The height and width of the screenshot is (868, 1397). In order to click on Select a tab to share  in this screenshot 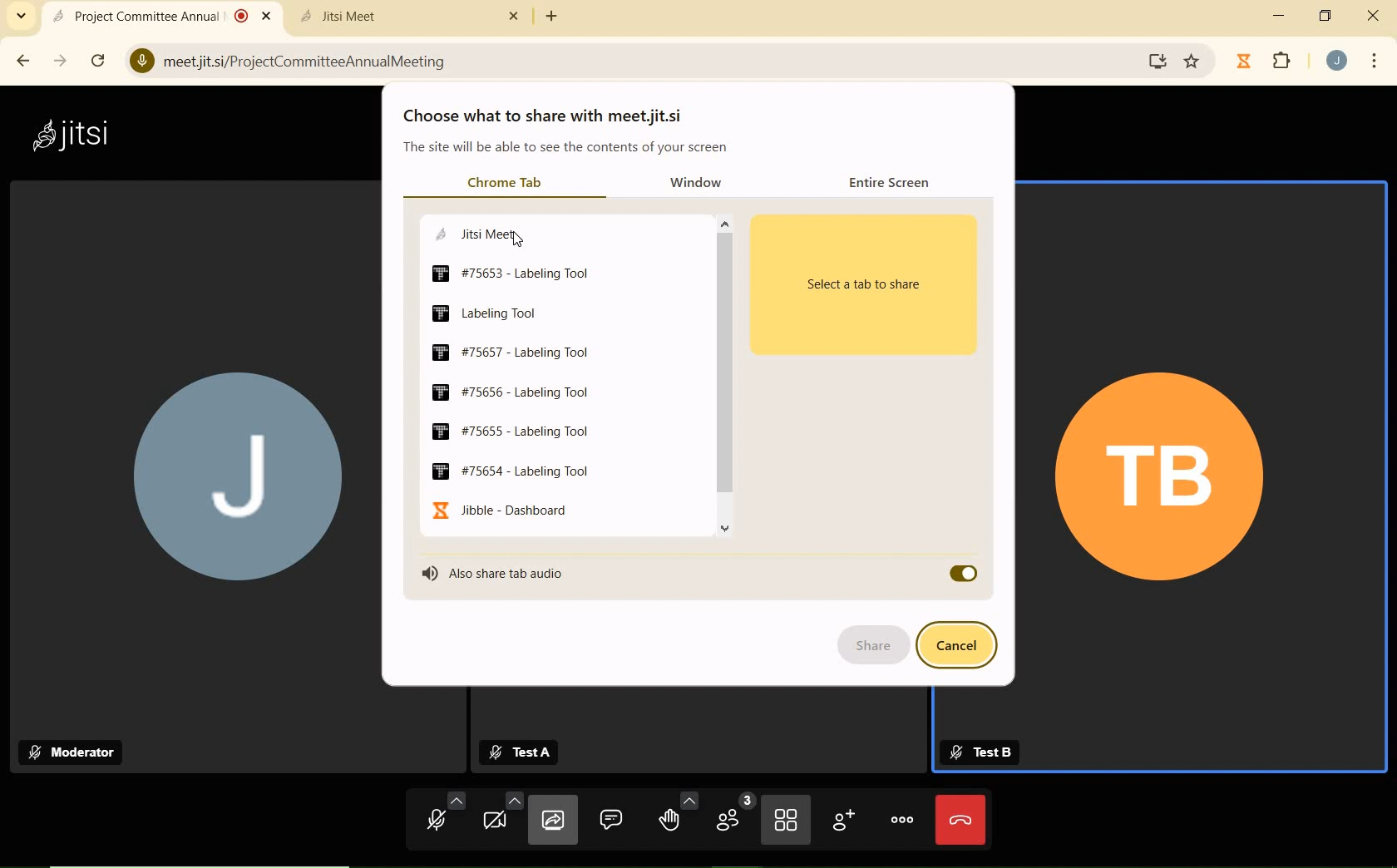, I will do `click(867, 288)`.